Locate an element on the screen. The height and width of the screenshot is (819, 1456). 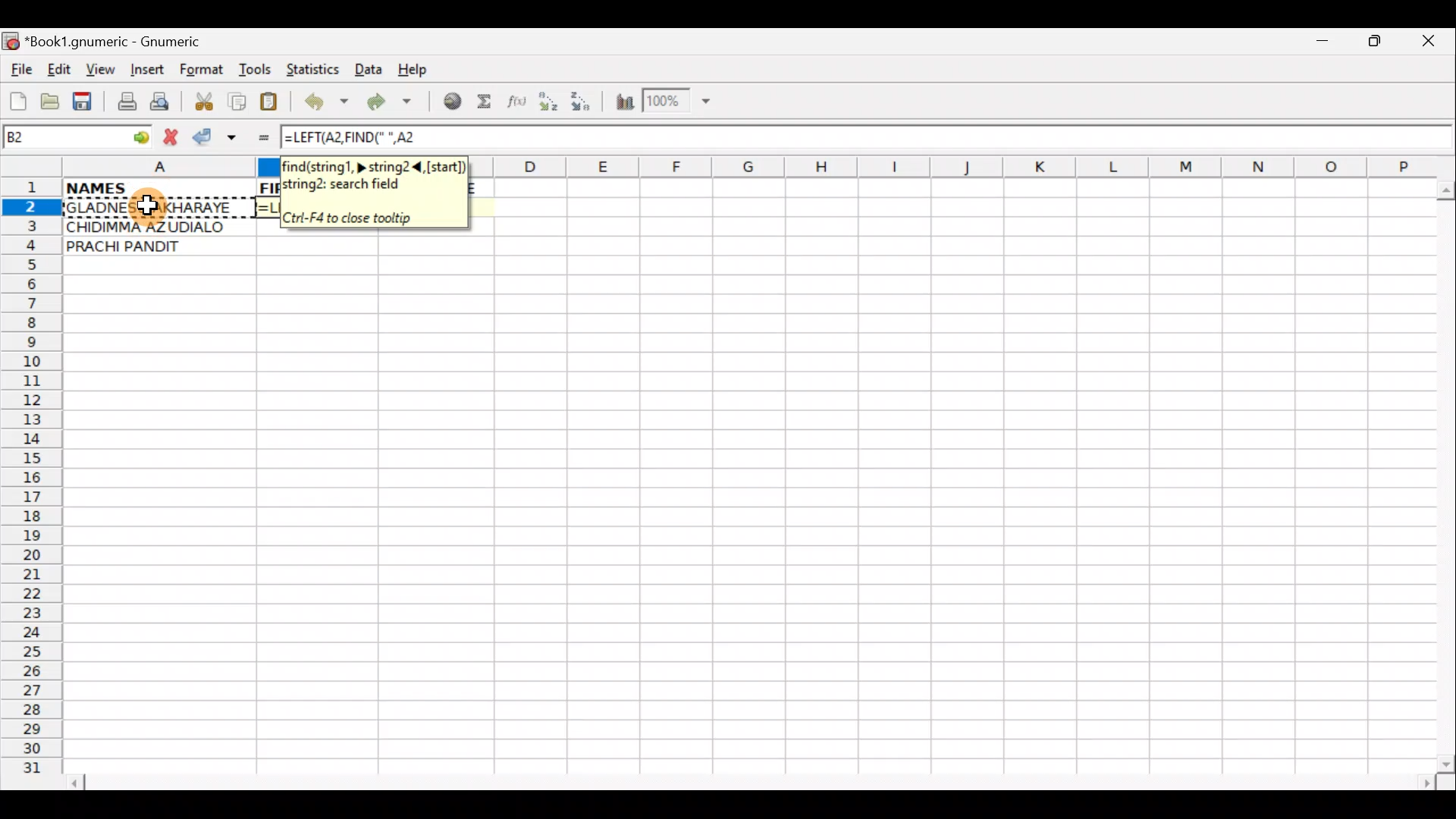
PRACHI PANDIT is located at coordinates (147, 247).